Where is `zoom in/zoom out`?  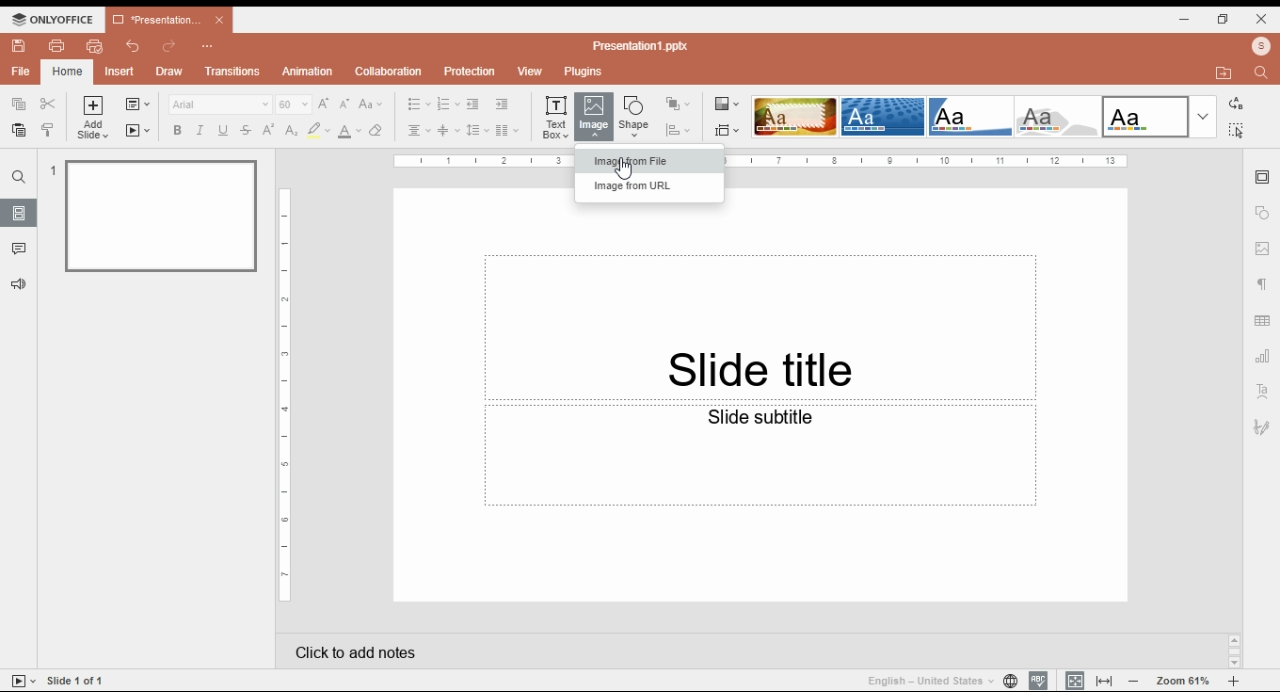
zoom in/zoom out is located at coordinates (1183, 679).